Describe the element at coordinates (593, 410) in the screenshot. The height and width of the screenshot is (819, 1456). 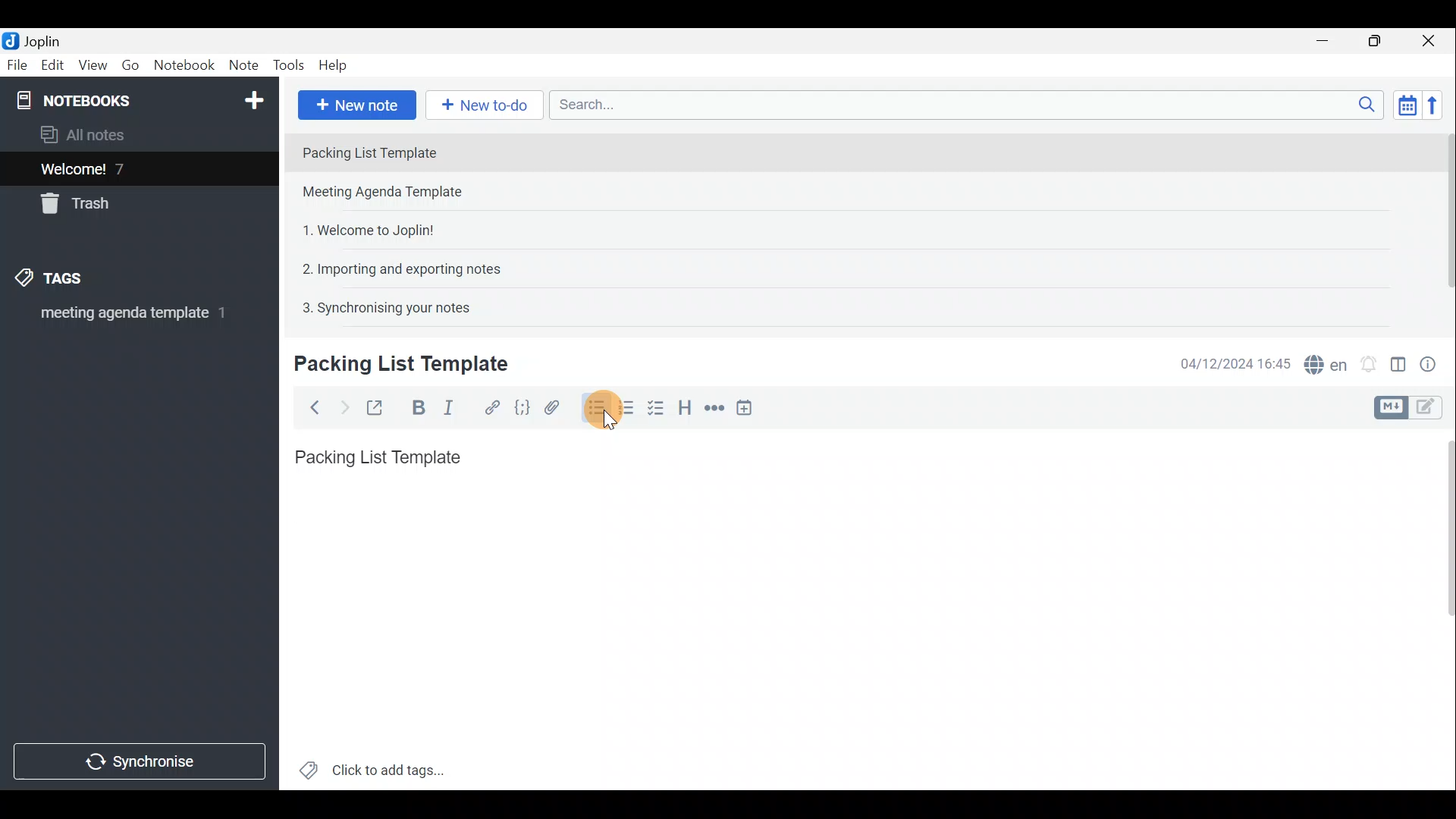
I see `Bulleted list` at that location.